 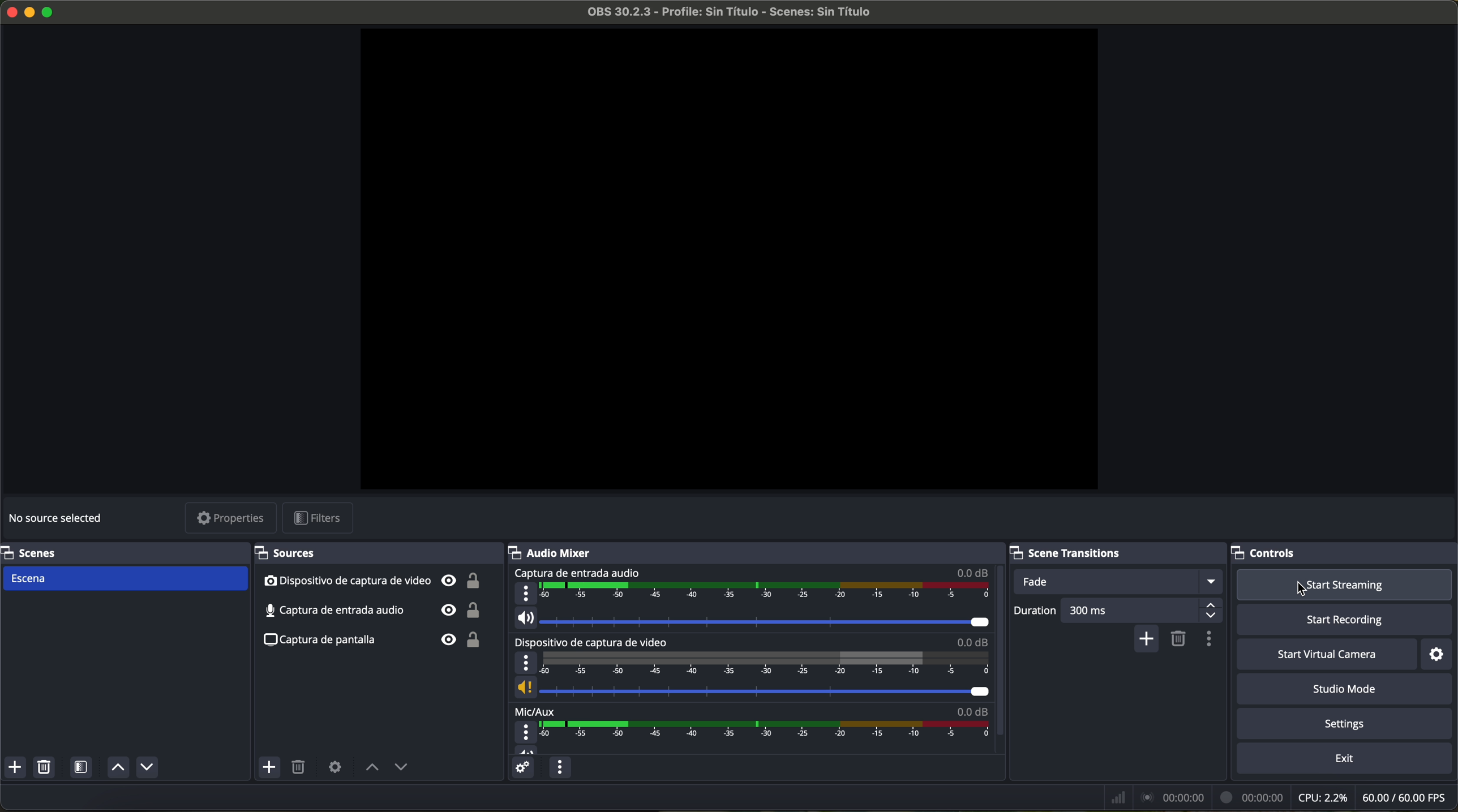 I want to click on add scene, so click(x=15, y=769).